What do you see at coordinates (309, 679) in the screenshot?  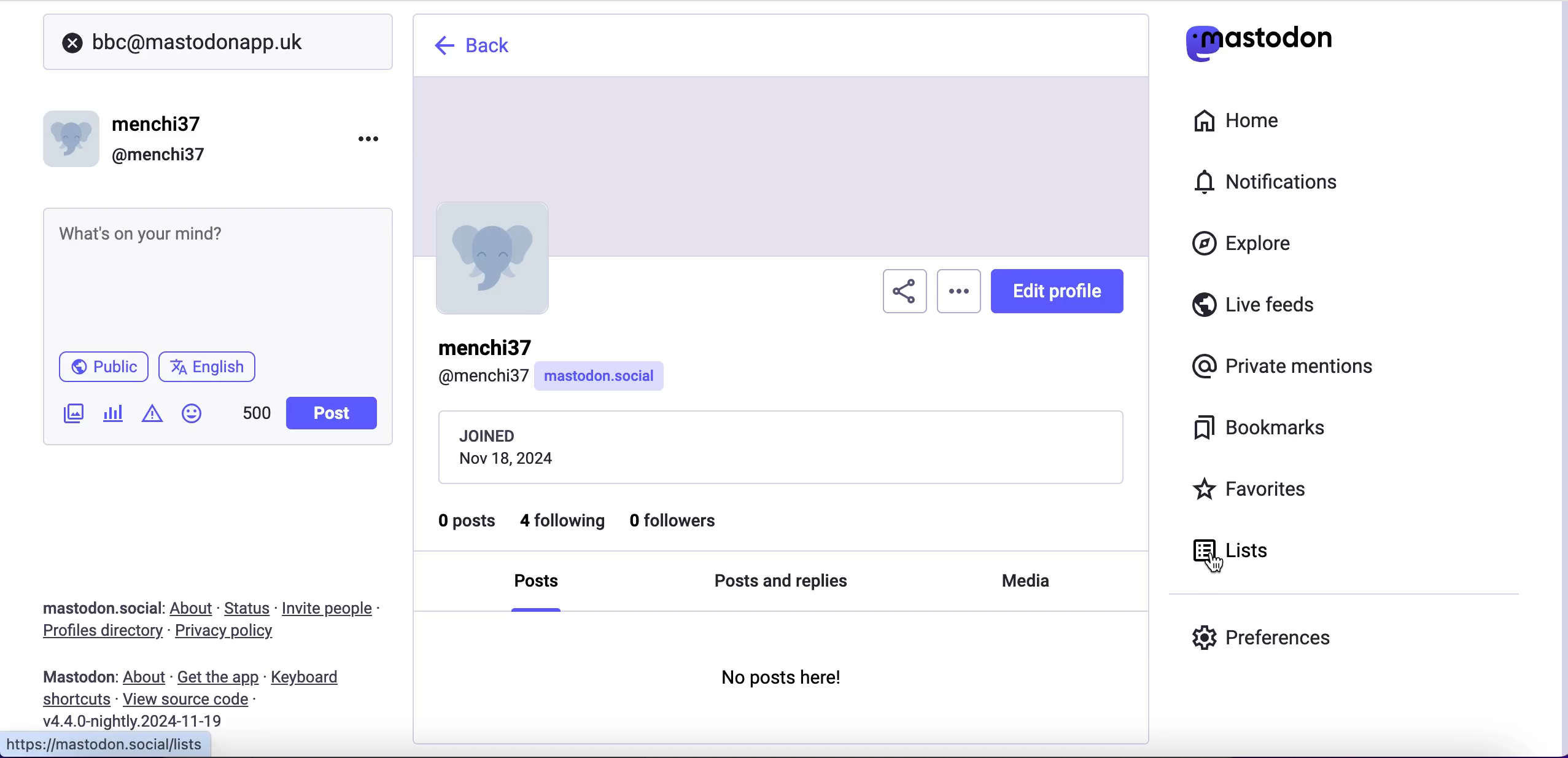 I see `keyboard` at bounding box center [309, 679].